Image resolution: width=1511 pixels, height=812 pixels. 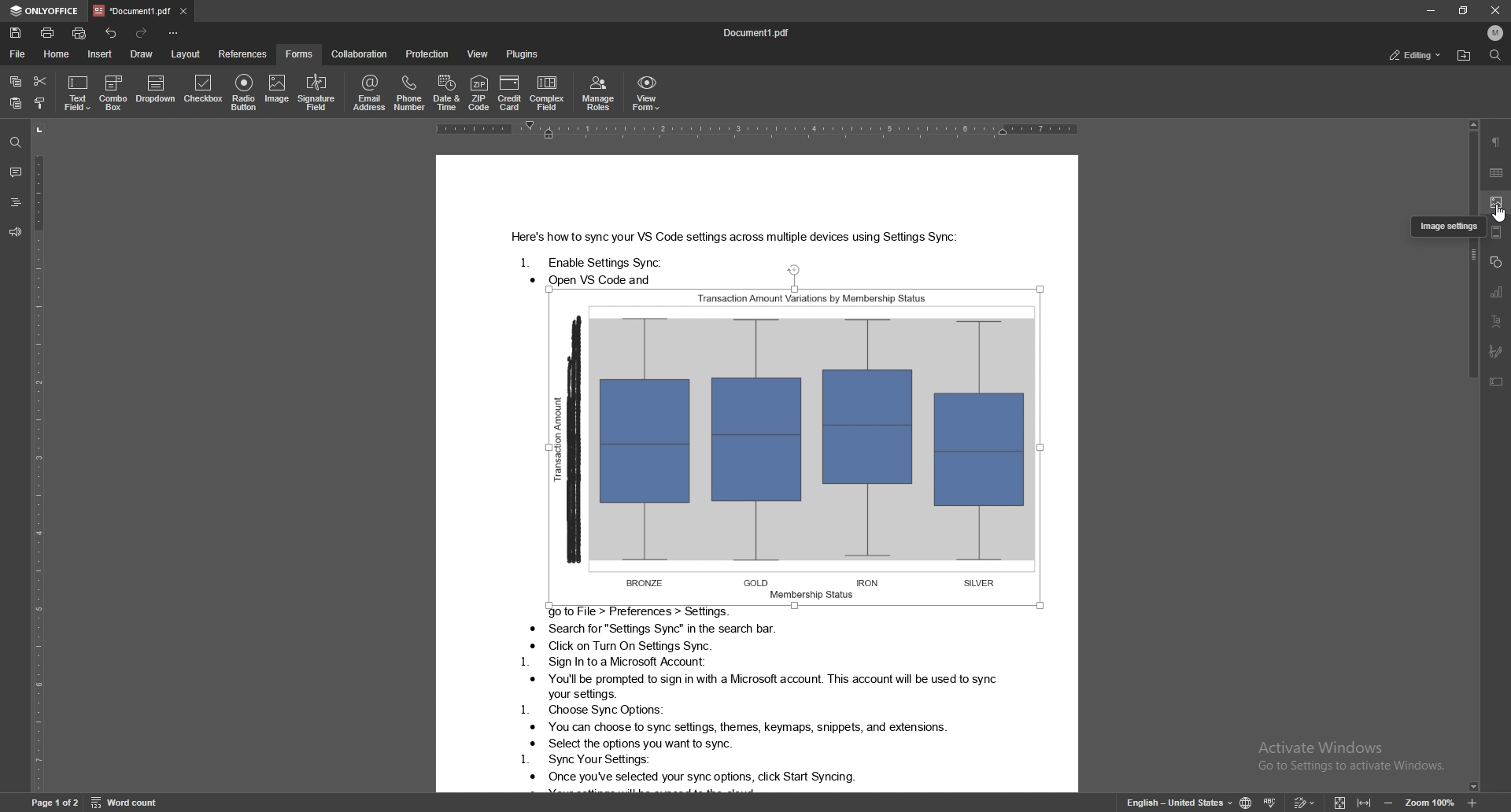 I want to click on fit to screen, so click(x=1339, y=803).